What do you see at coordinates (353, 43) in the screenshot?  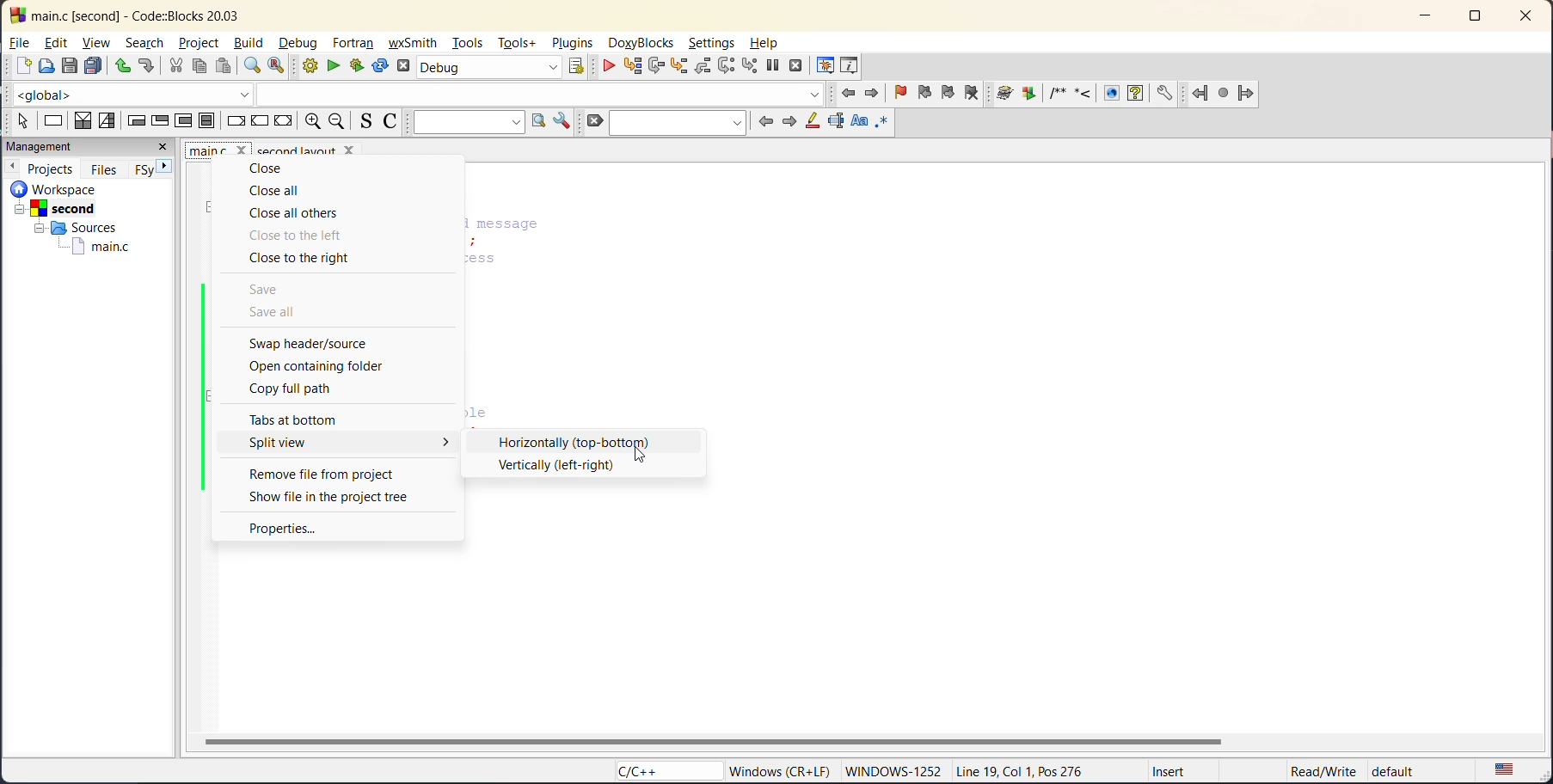 I see `fortran` at bounding box center [353, 43].